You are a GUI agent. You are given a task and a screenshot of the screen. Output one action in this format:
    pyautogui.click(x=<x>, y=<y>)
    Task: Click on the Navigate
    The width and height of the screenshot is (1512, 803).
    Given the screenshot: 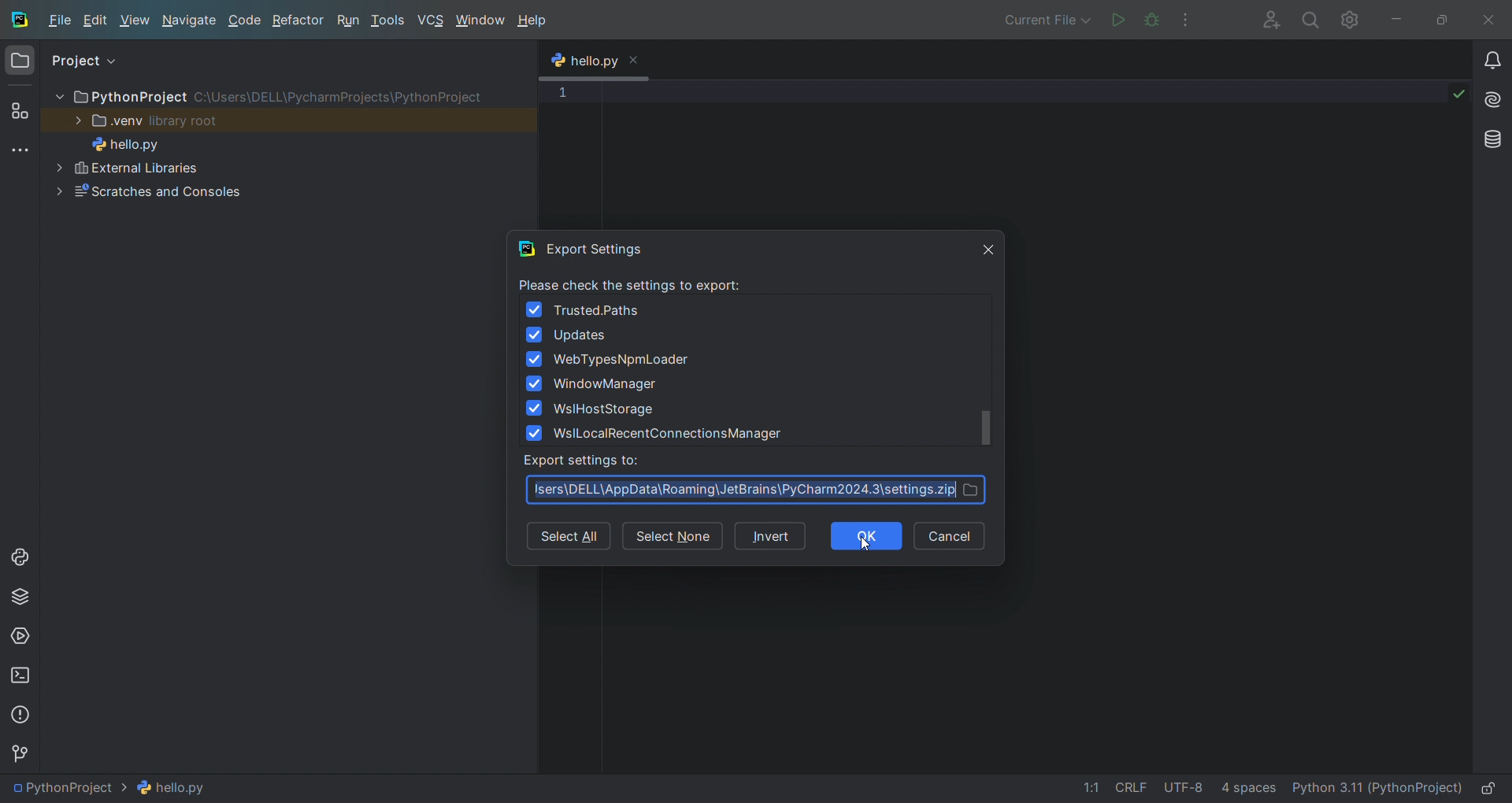 What is the action you would take?
    pyautogui.click(x=190, y=20)
    